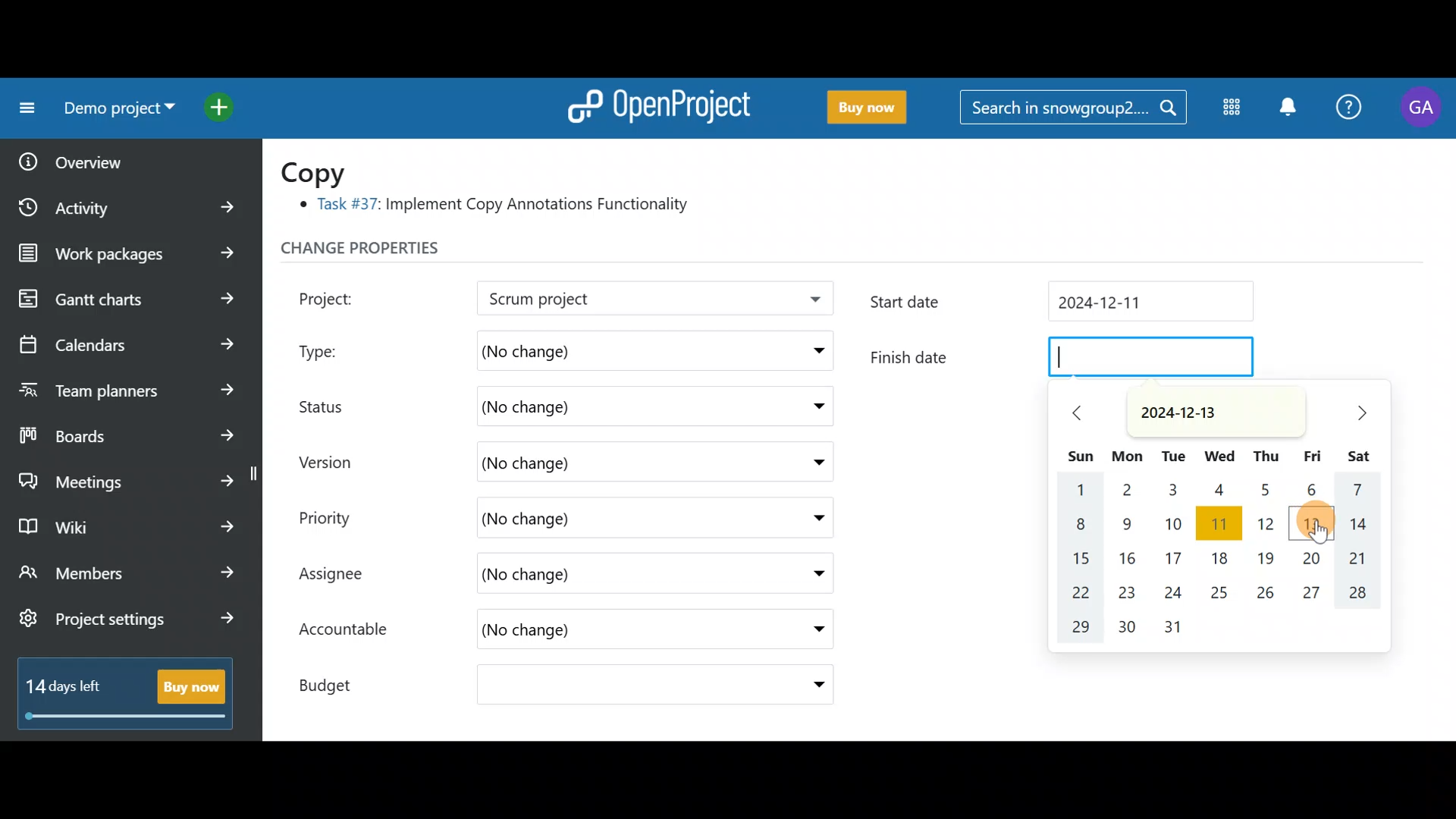 The height and width of the screenshot is (819, 1456). I want to click on Account name, so click(1421, 108).